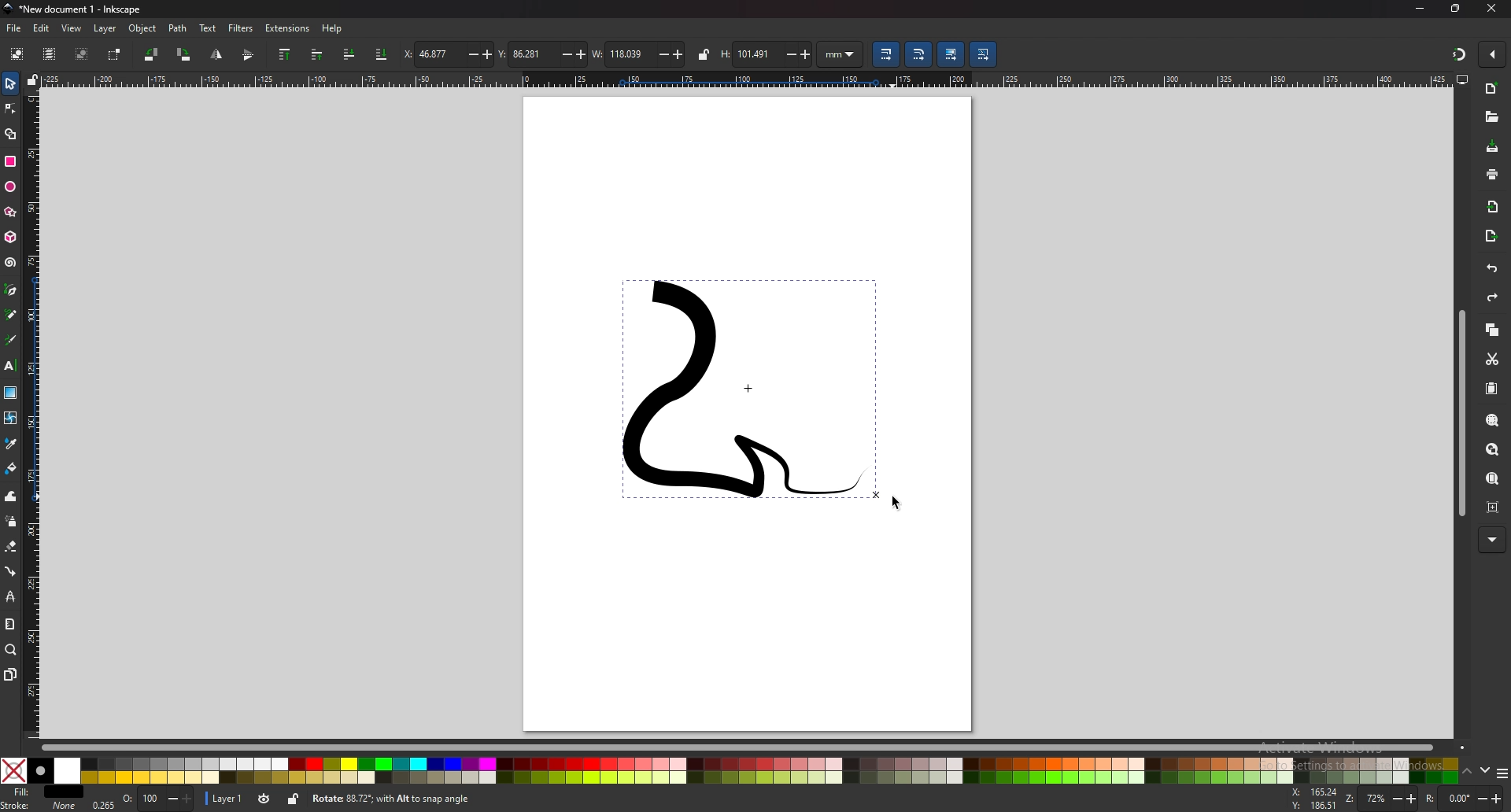  Describe the element at coordinates (1457, 54) in the screenshot. I see `snapping` at that location.